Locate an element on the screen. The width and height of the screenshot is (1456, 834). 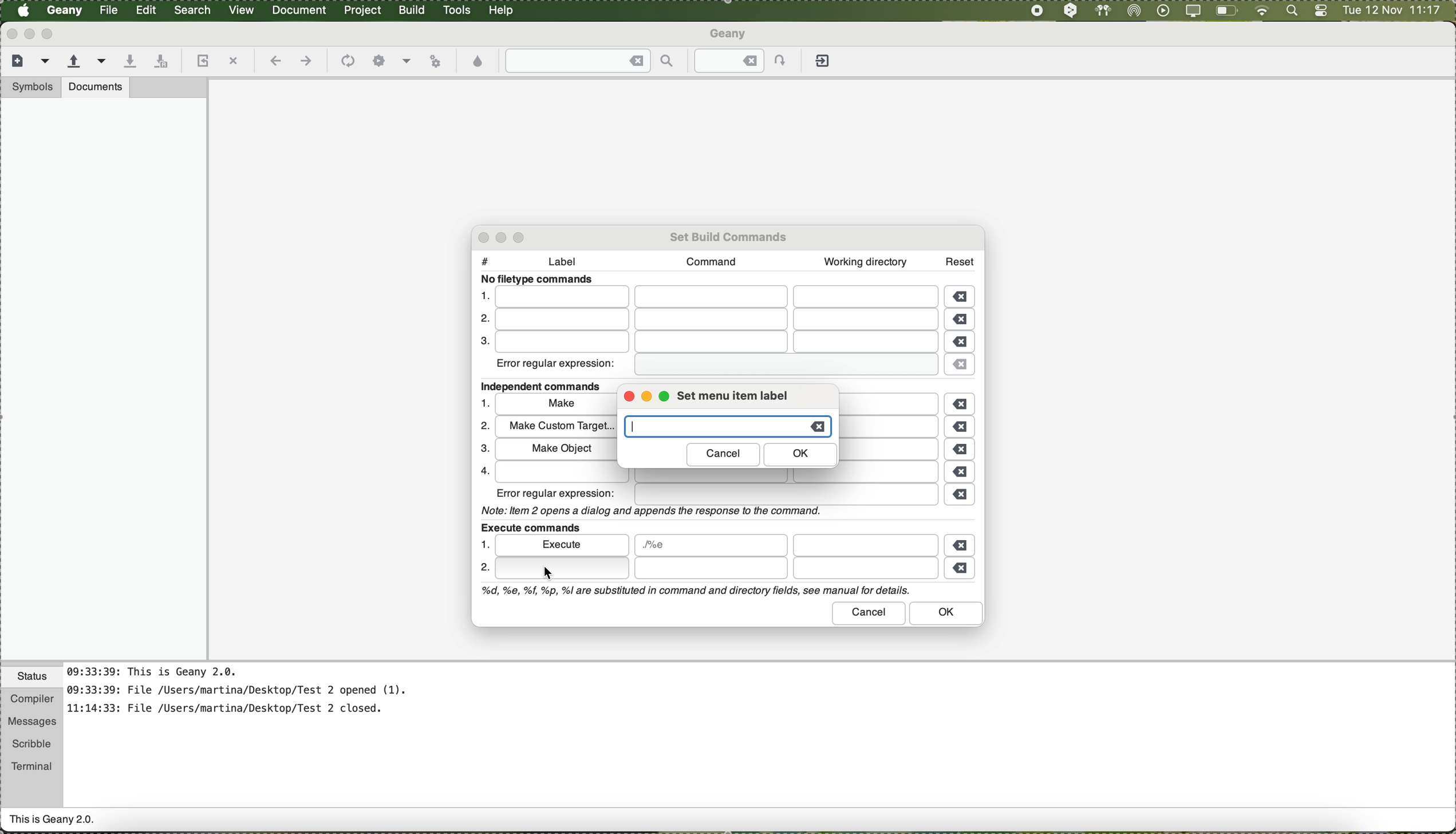
2 is located at coordinates (480, 320).